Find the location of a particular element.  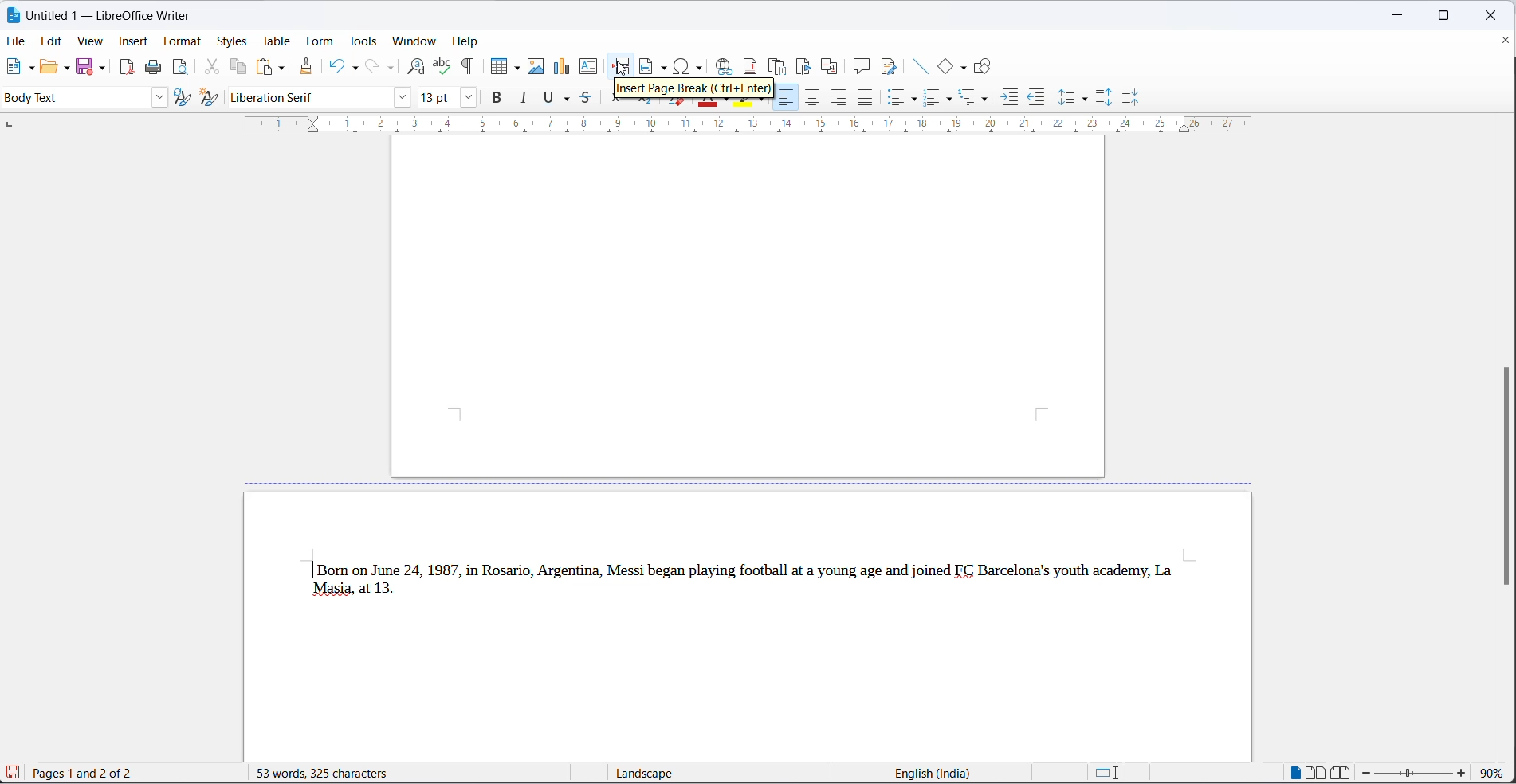

current page and page number is located at coordinates (97, 774).